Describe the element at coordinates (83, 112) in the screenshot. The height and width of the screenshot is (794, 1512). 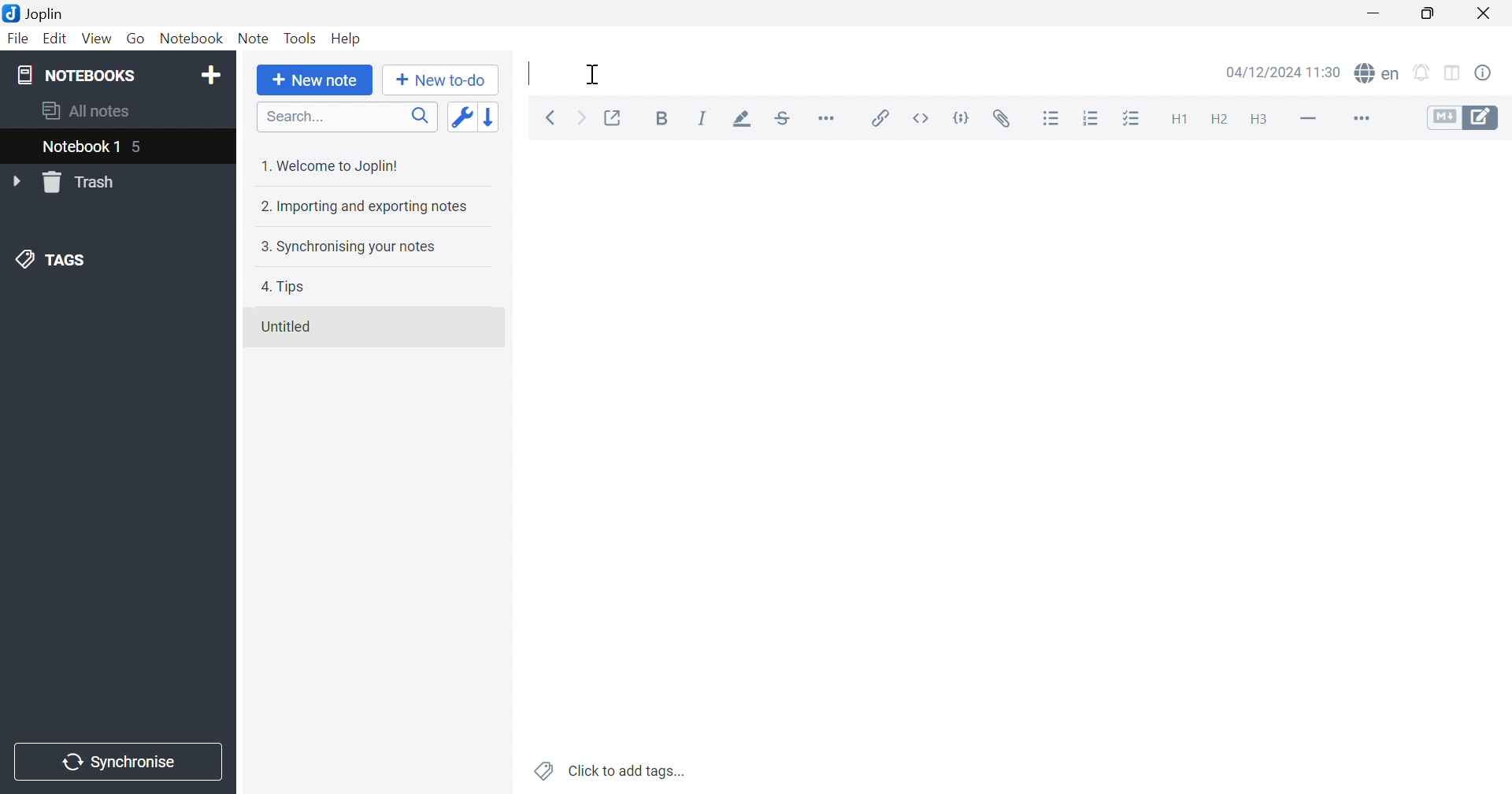
I see `All notes` at that location.